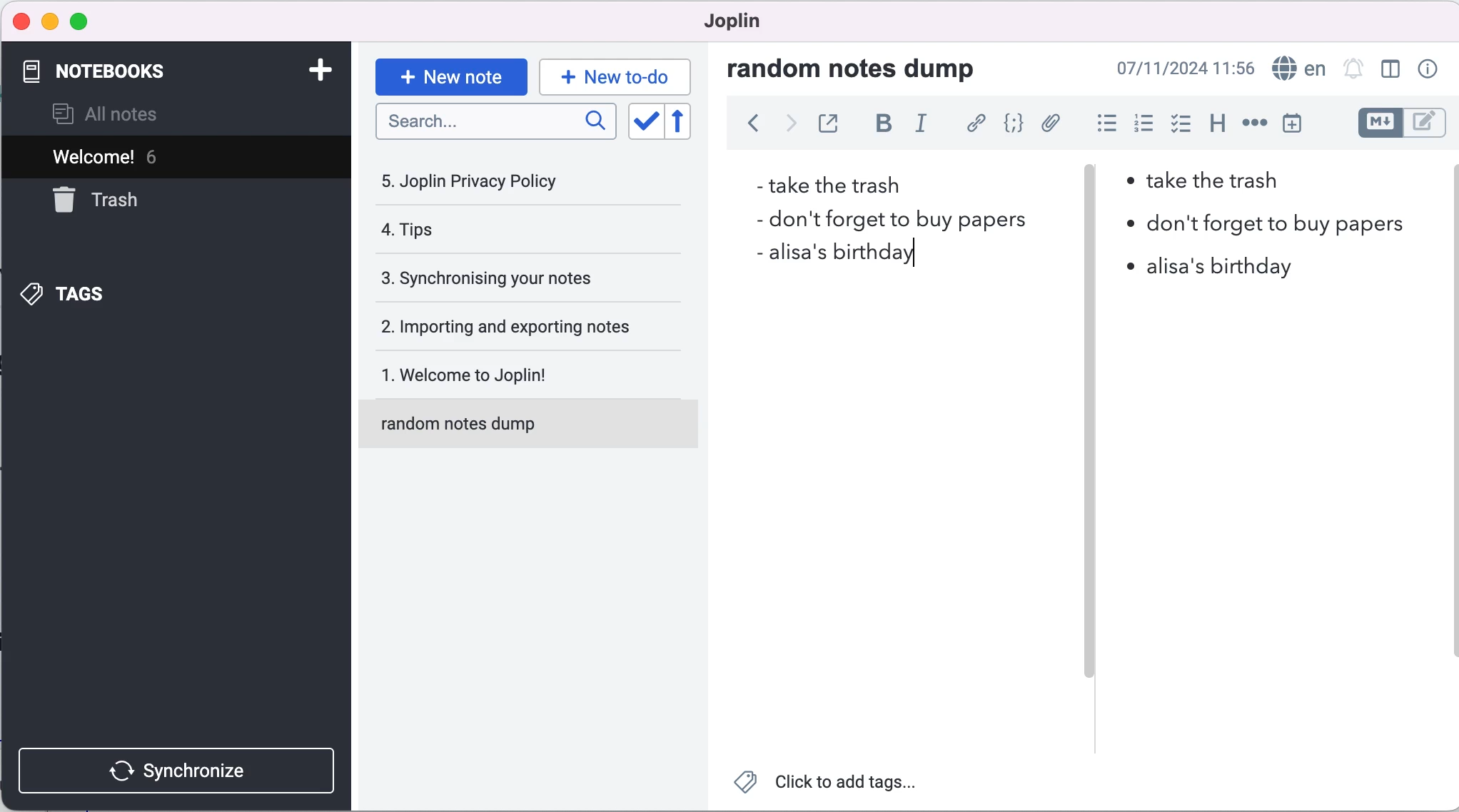 This screenshot has width=1459, height=812. Describe the element at coordinates (746, 128) in the screenshot. I see `back` at that location.